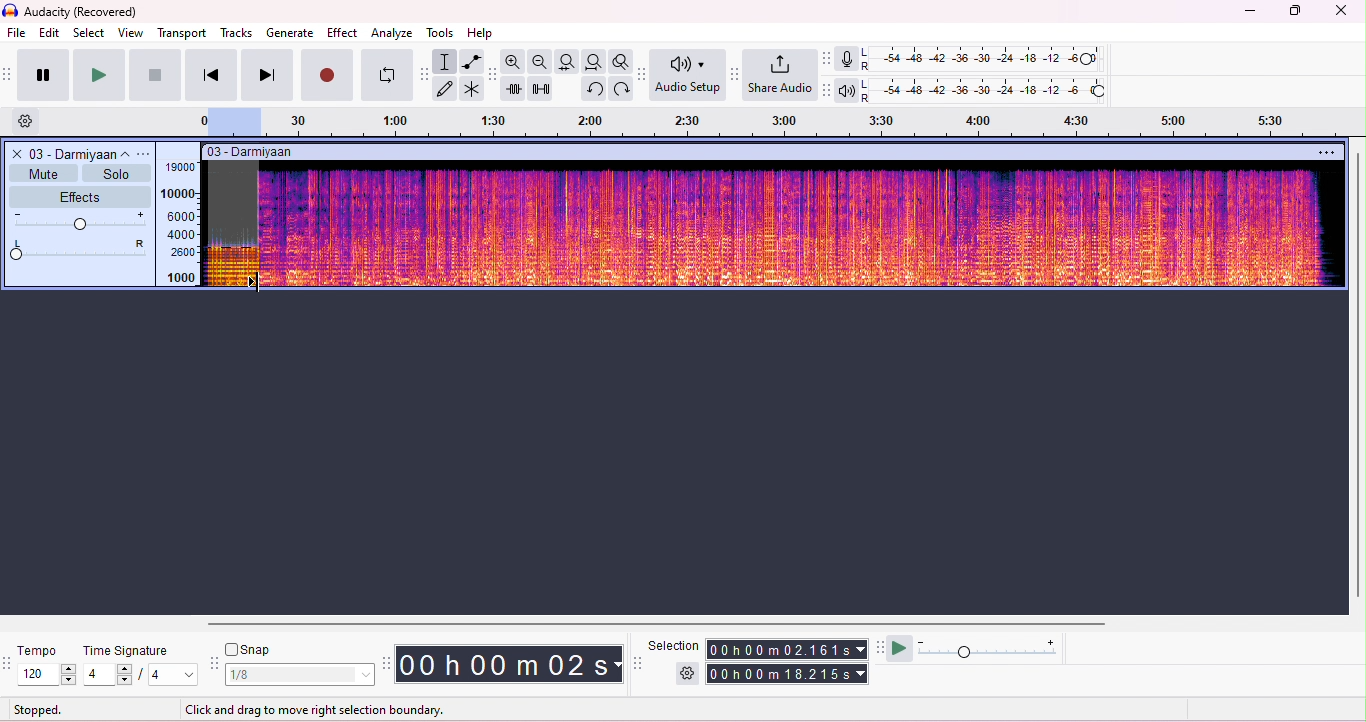  Describe the element at coordinates (789, 674) in the screenshot. I see `total time` at that location.